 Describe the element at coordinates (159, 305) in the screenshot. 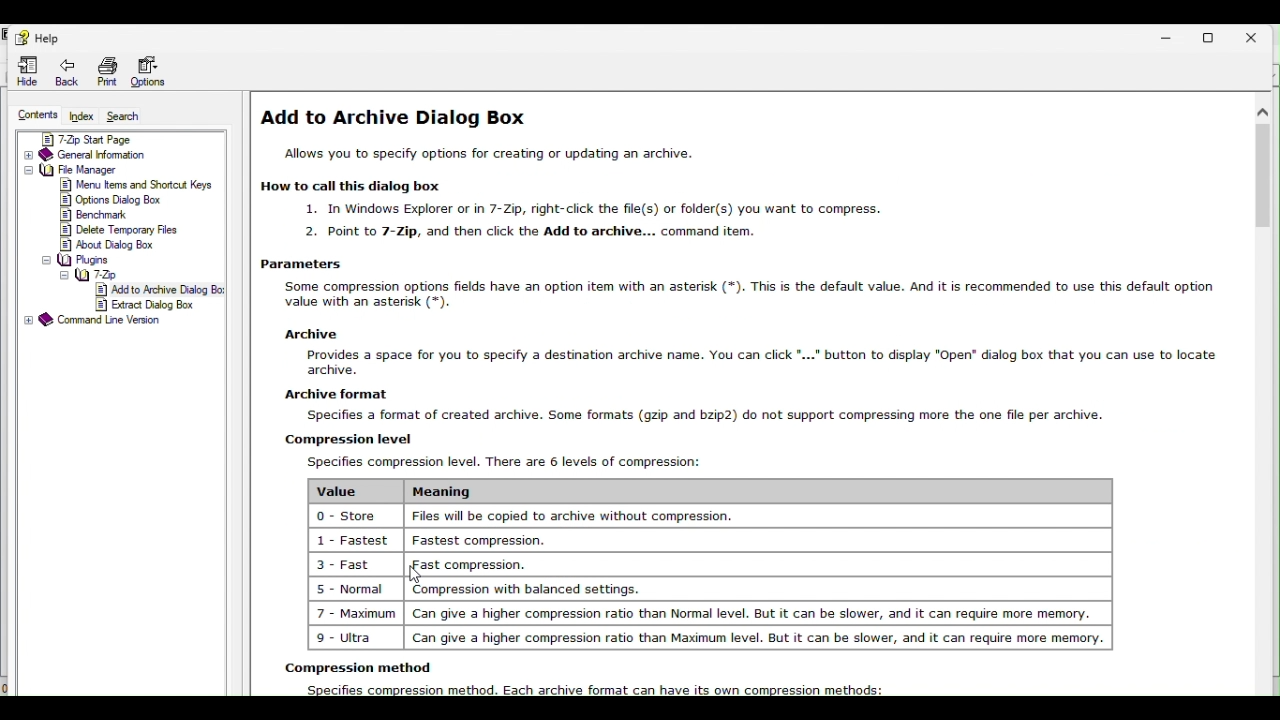

I see `extract dialog box` at that location.